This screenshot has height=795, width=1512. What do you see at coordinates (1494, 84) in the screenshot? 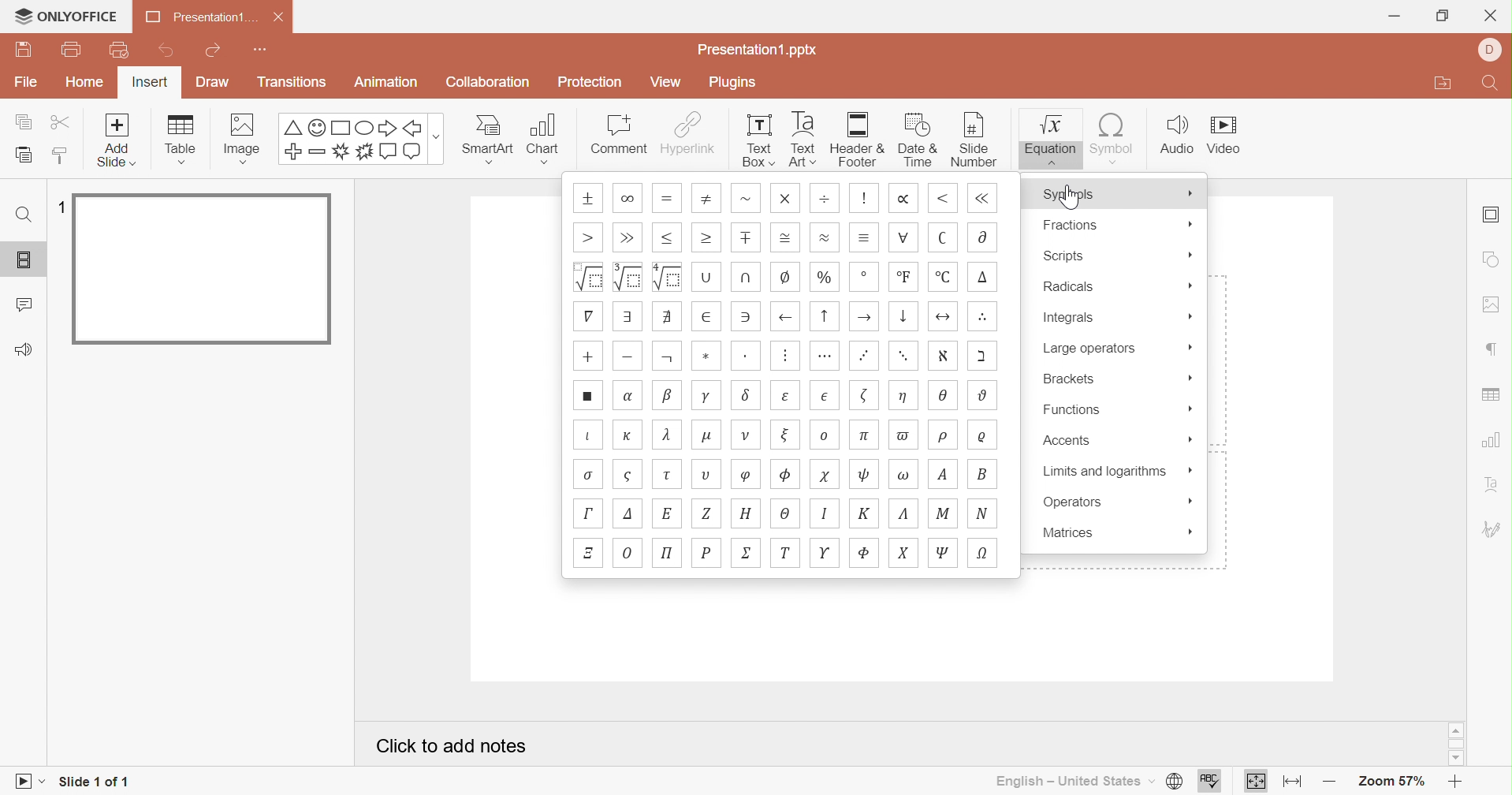
I see `Find` at bounding box center [1494, 84].